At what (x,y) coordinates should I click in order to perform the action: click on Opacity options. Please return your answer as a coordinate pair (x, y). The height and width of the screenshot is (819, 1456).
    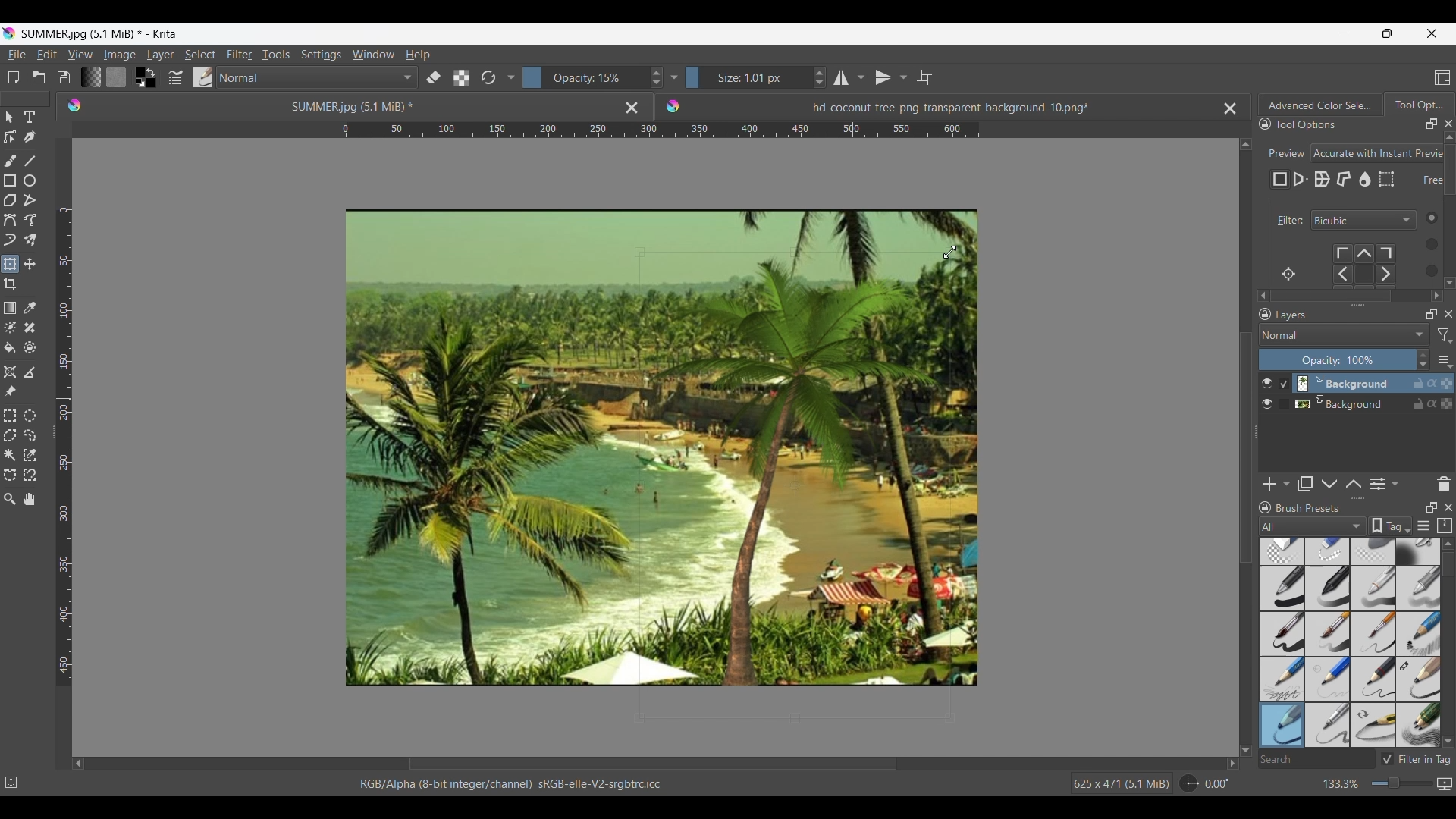
    Looking at the image, I should click on (673, 77).